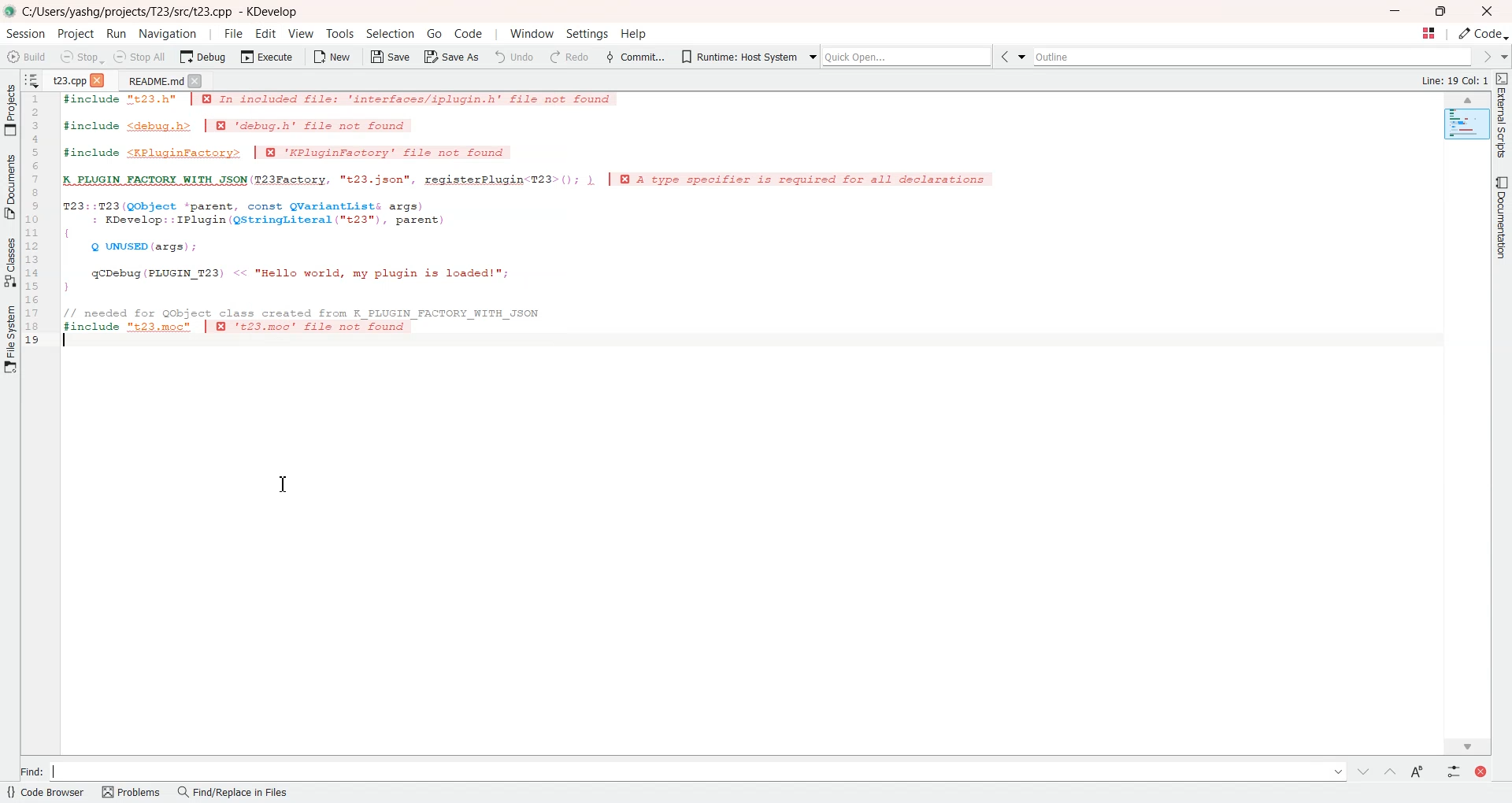 This screenshot has height=803, width=1512. What do you see at coordinates (64, 341) in the screenshot?
I see `Text cursor` at bounding box center [64, 341].